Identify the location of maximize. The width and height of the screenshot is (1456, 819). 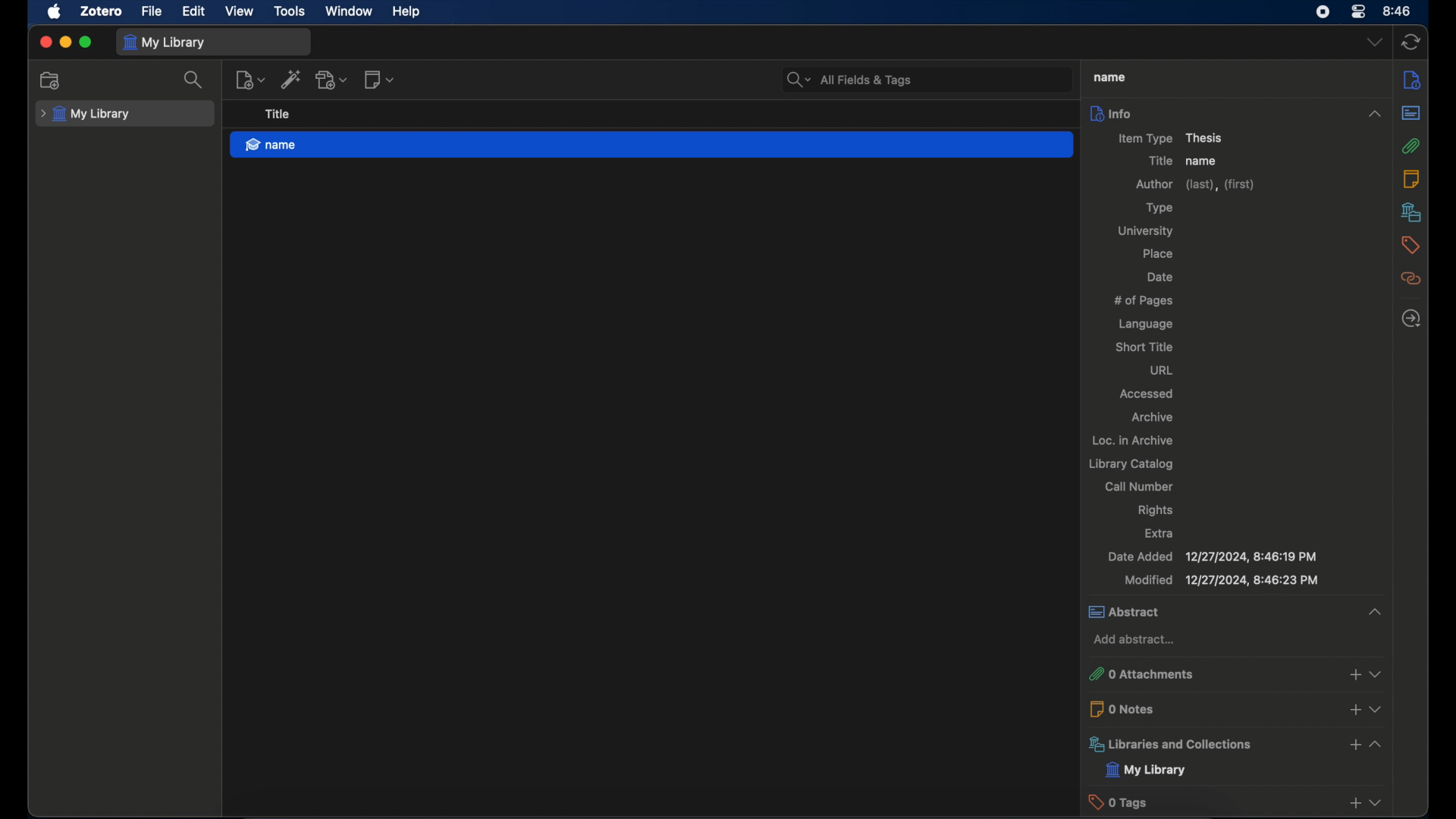
(86, 43).